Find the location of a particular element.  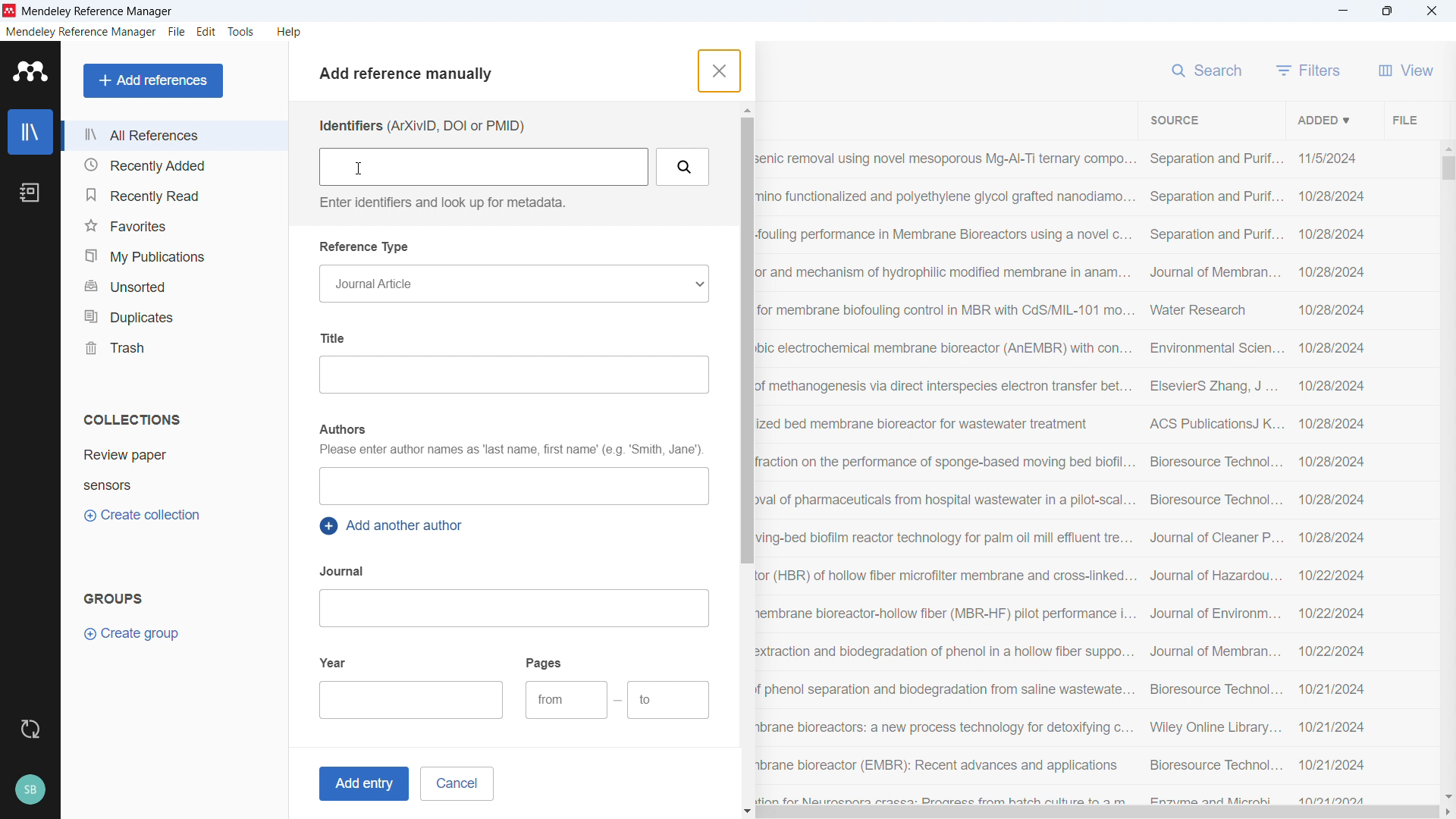

Add references  is located at coordinates (154, 80).